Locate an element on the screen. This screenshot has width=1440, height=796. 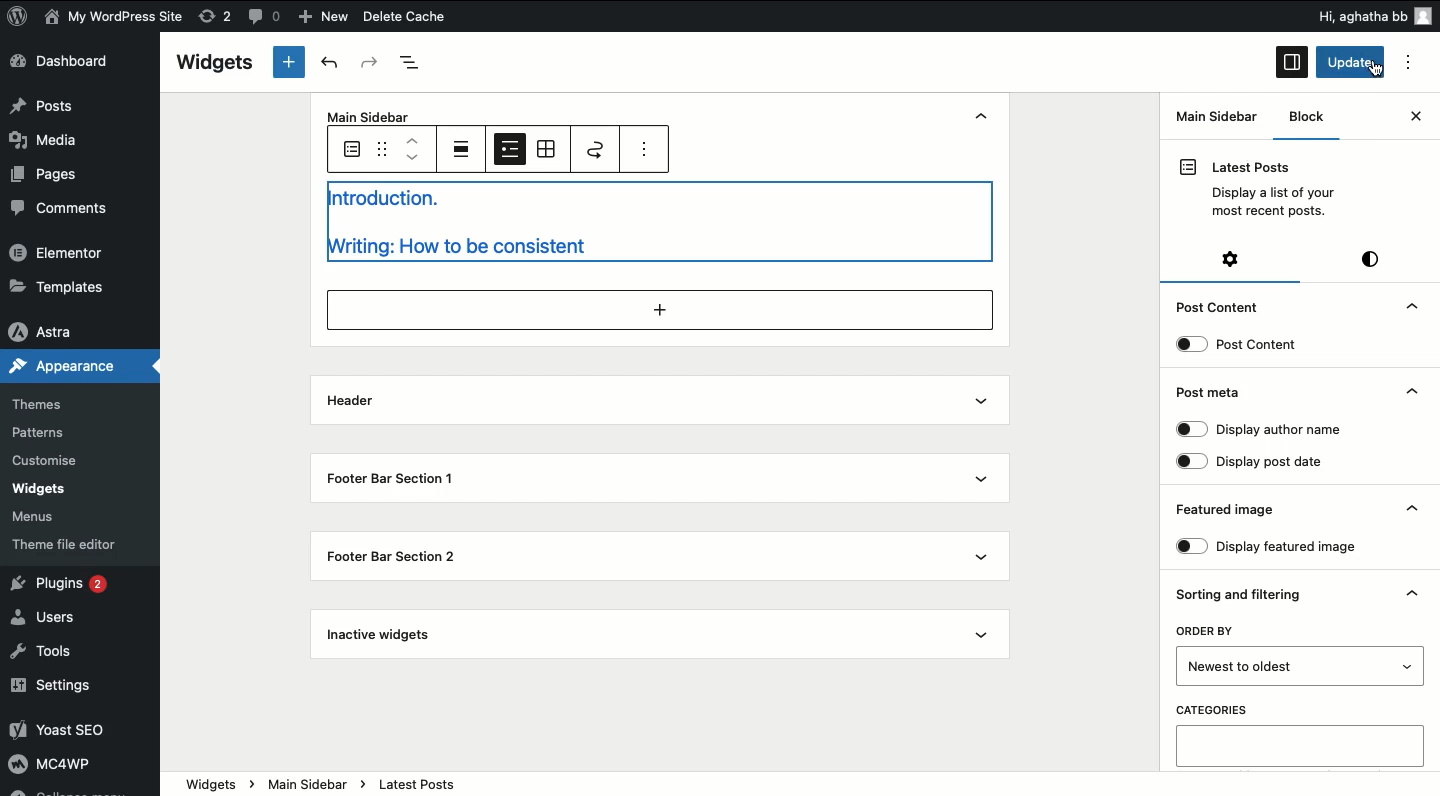
options is located at coordinates (648, 146).